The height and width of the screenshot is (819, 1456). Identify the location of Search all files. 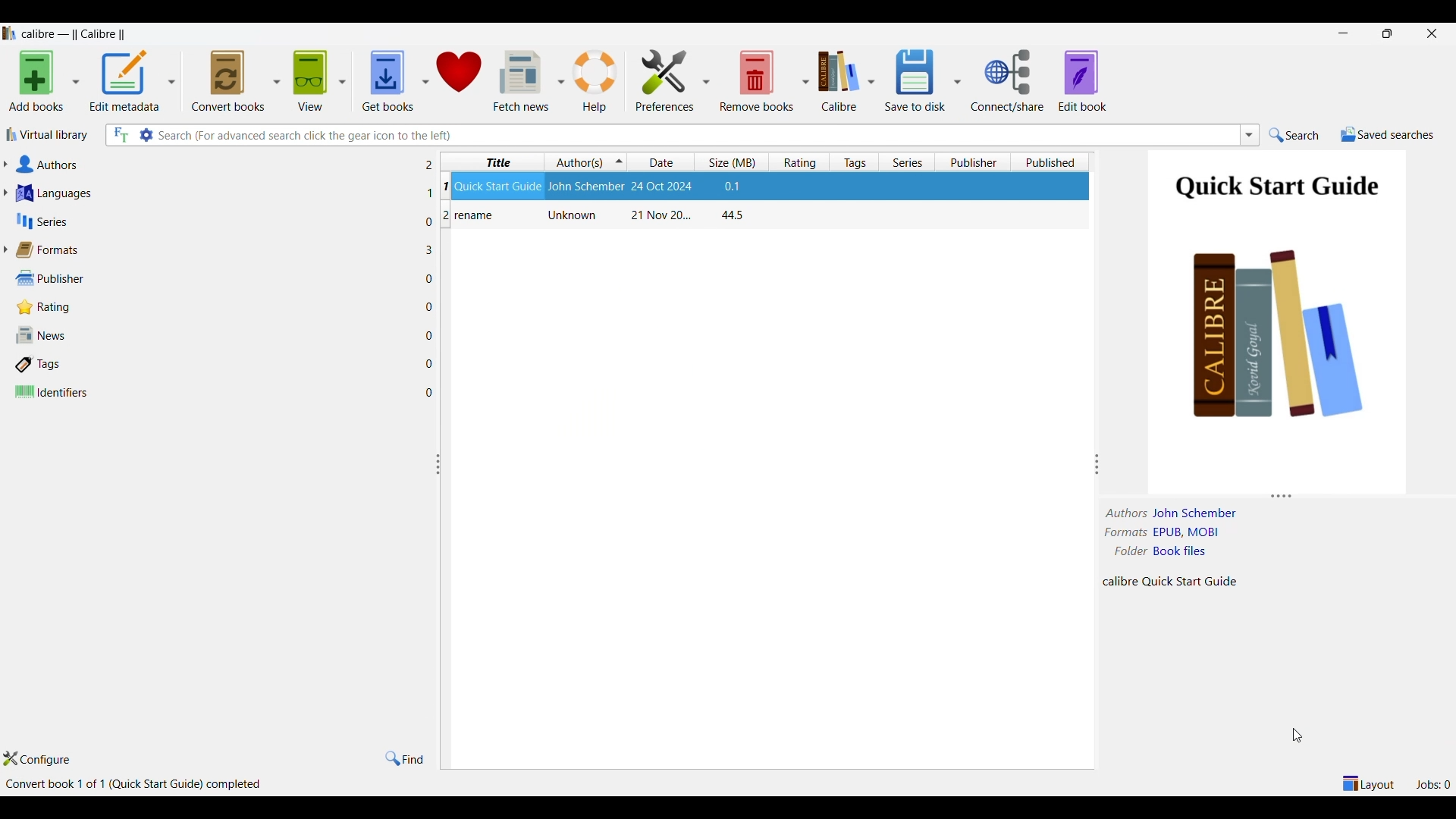
(120, 135).